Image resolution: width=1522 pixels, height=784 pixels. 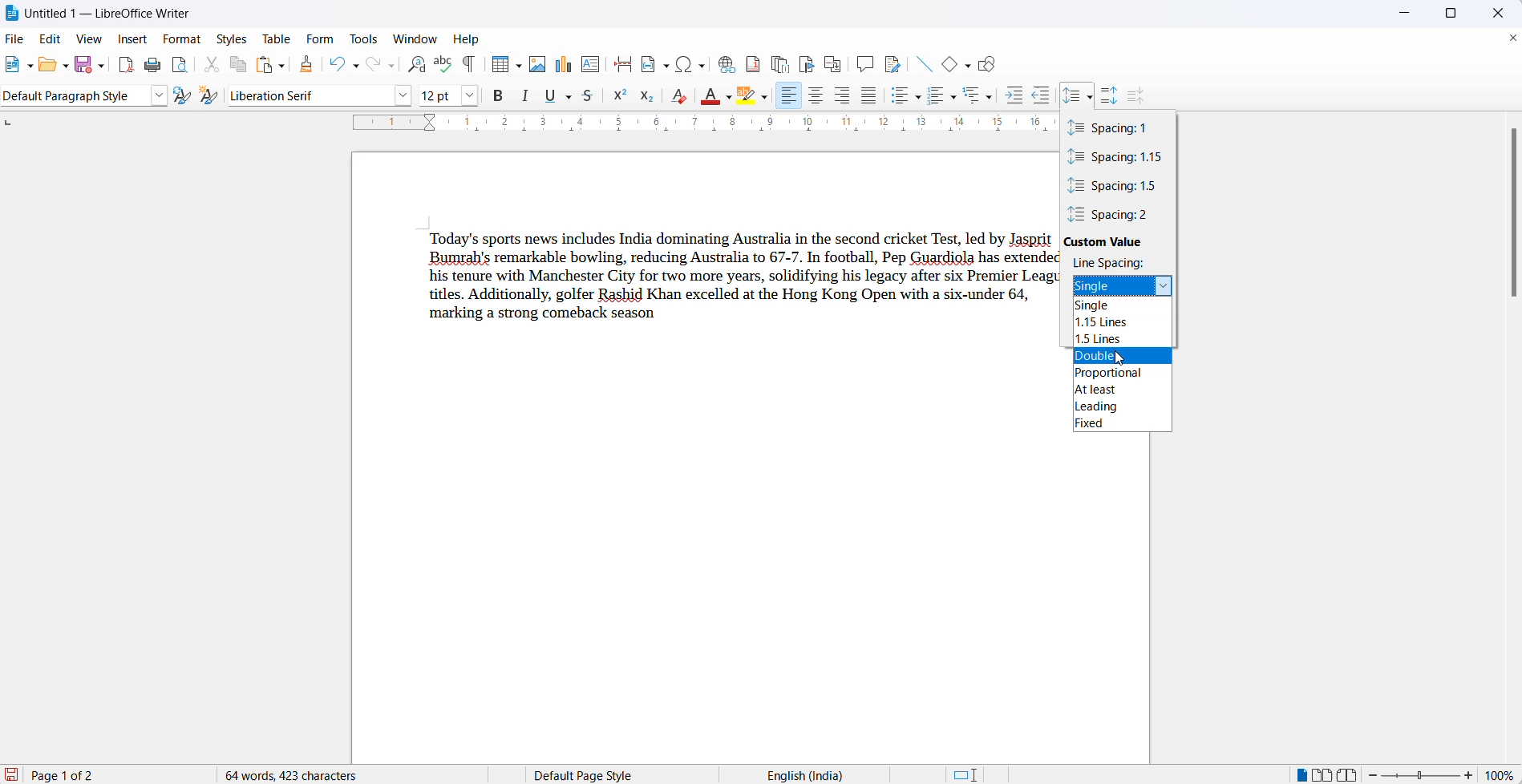 What do you see at coordinates (731, 98) in the screenshot?
I see `fill color options` at bounding box center [731, 98].